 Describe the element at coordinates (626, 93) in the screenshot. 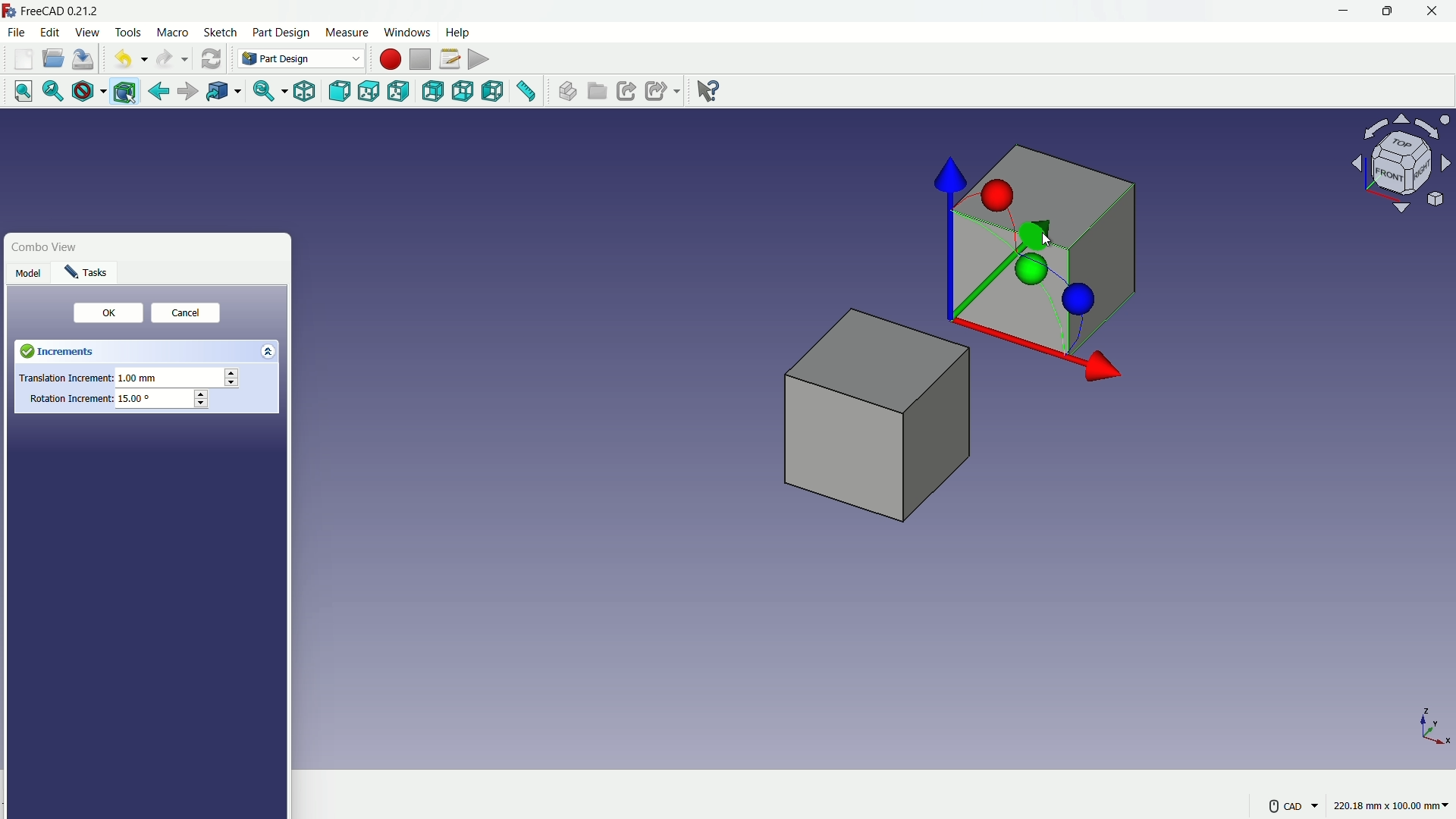

I see `make link` at that location.